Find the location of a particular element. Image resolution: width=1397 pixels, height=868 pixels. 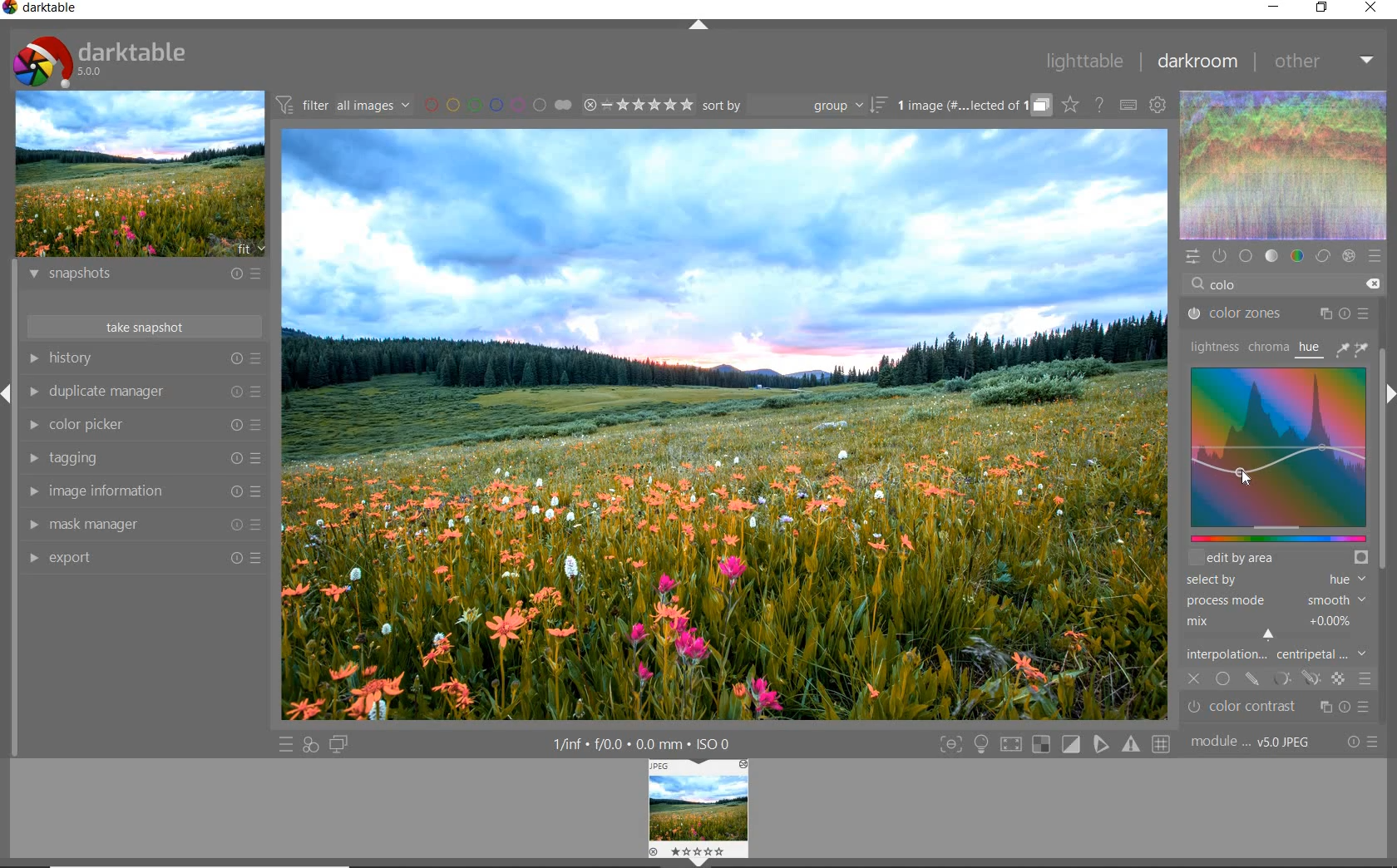

uniformly is located at coordinates (1224, 679).